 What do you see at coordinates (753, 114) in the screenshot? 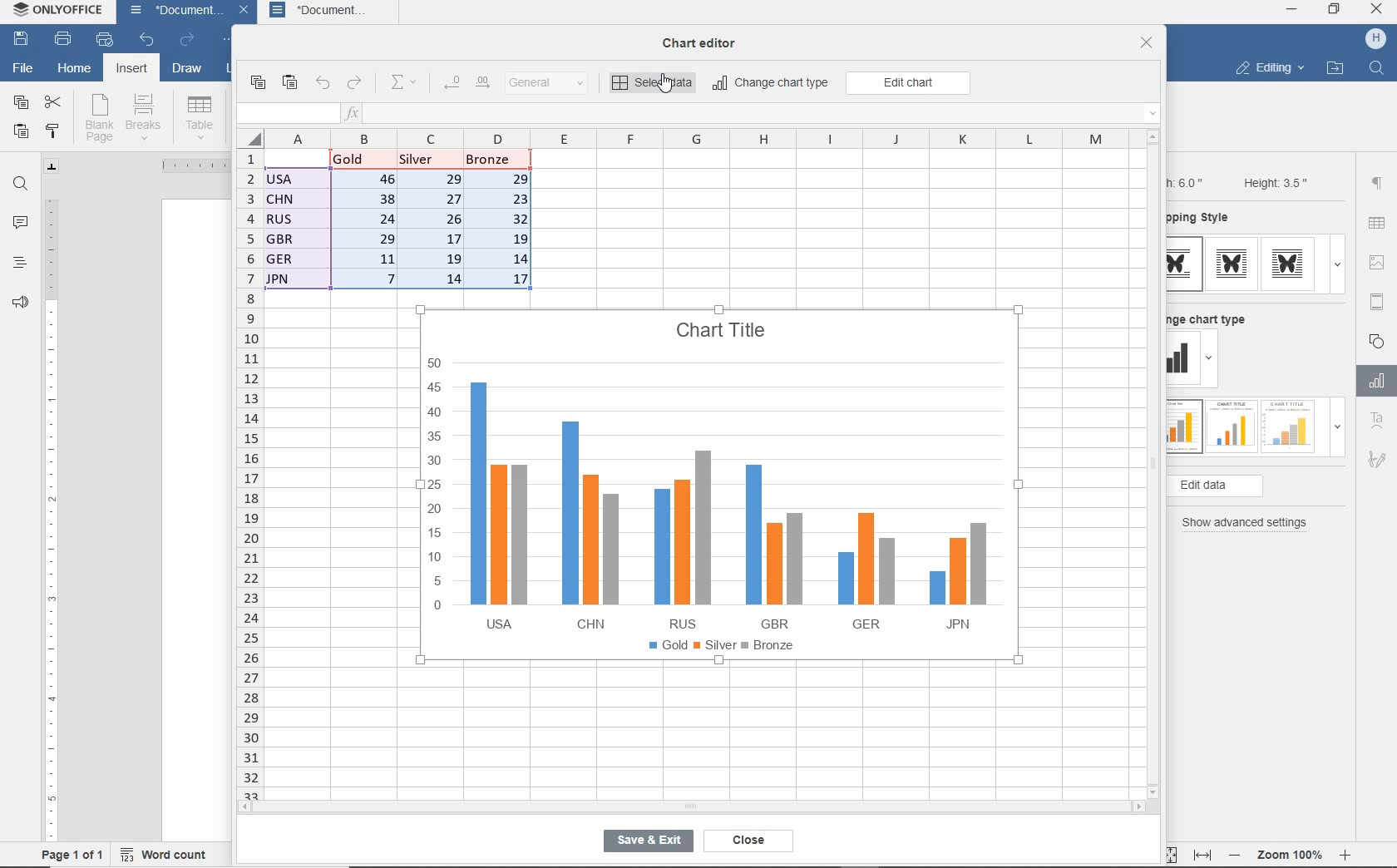
I see `insert function` at bounding box center [753, 114].